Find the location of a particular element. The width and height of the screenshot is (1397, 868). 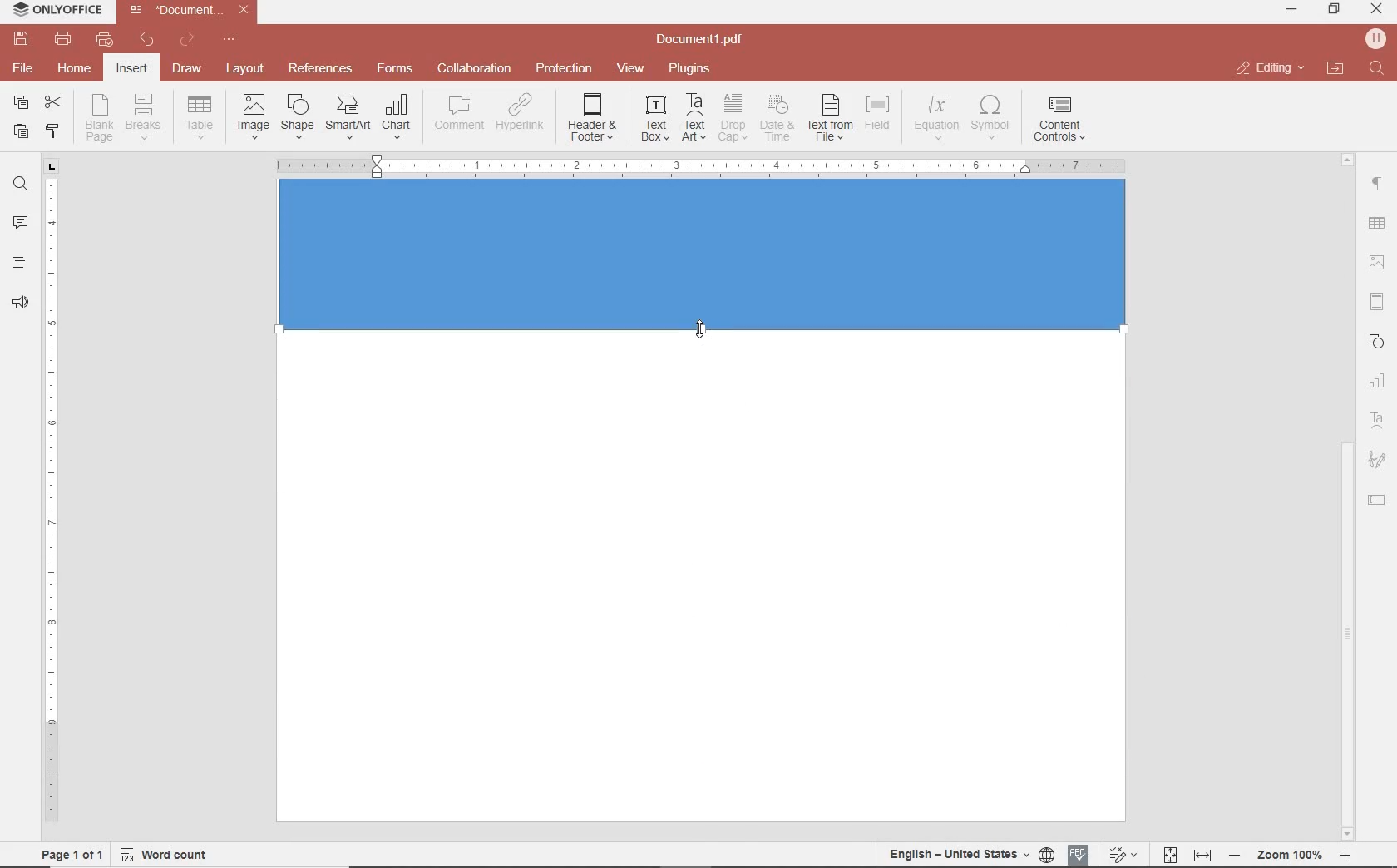

reference is located at coordinates (318, 69).